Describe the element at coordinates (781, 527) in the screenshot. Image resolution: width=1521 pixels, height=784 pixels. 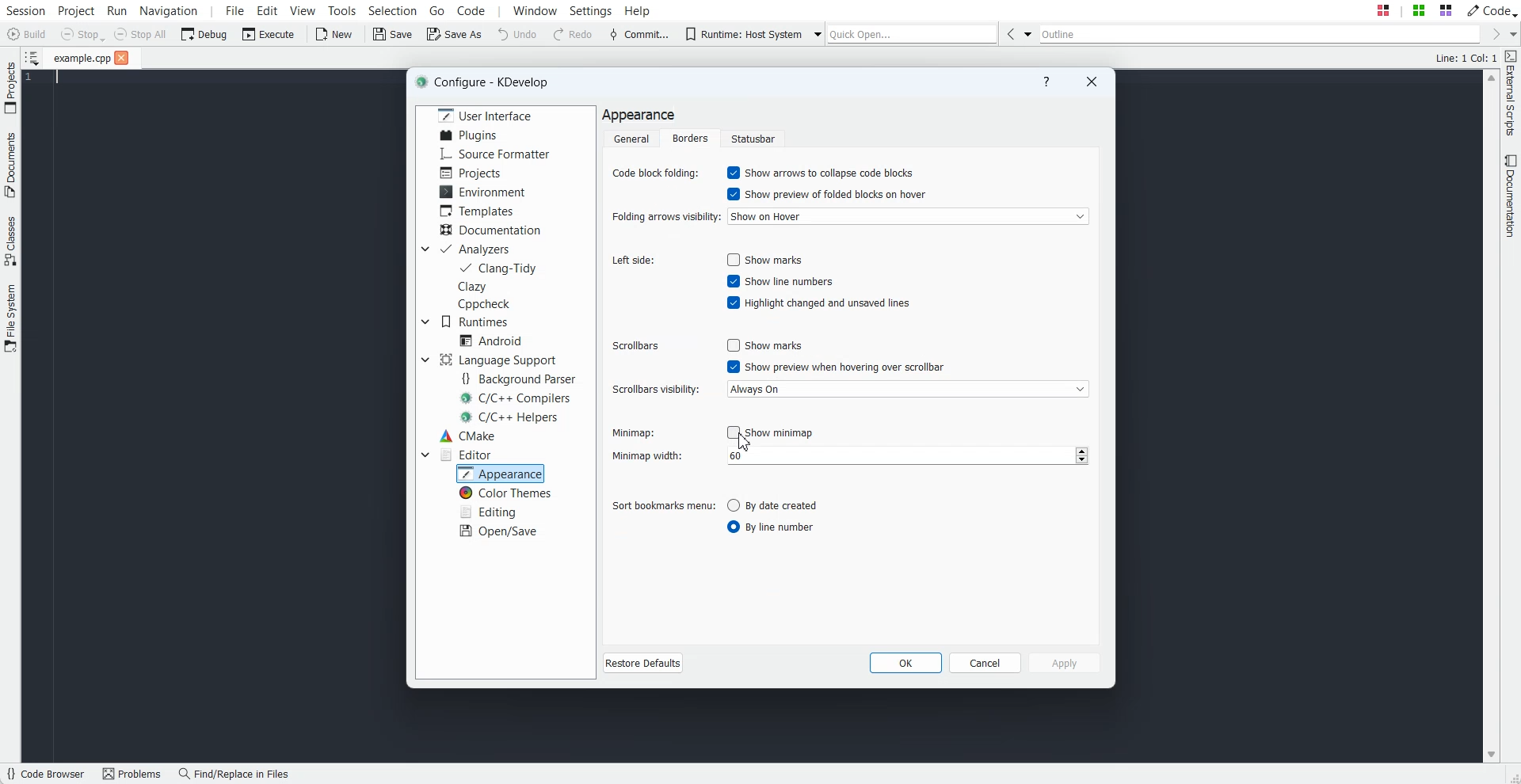
I see `Enable by line number` at that location.